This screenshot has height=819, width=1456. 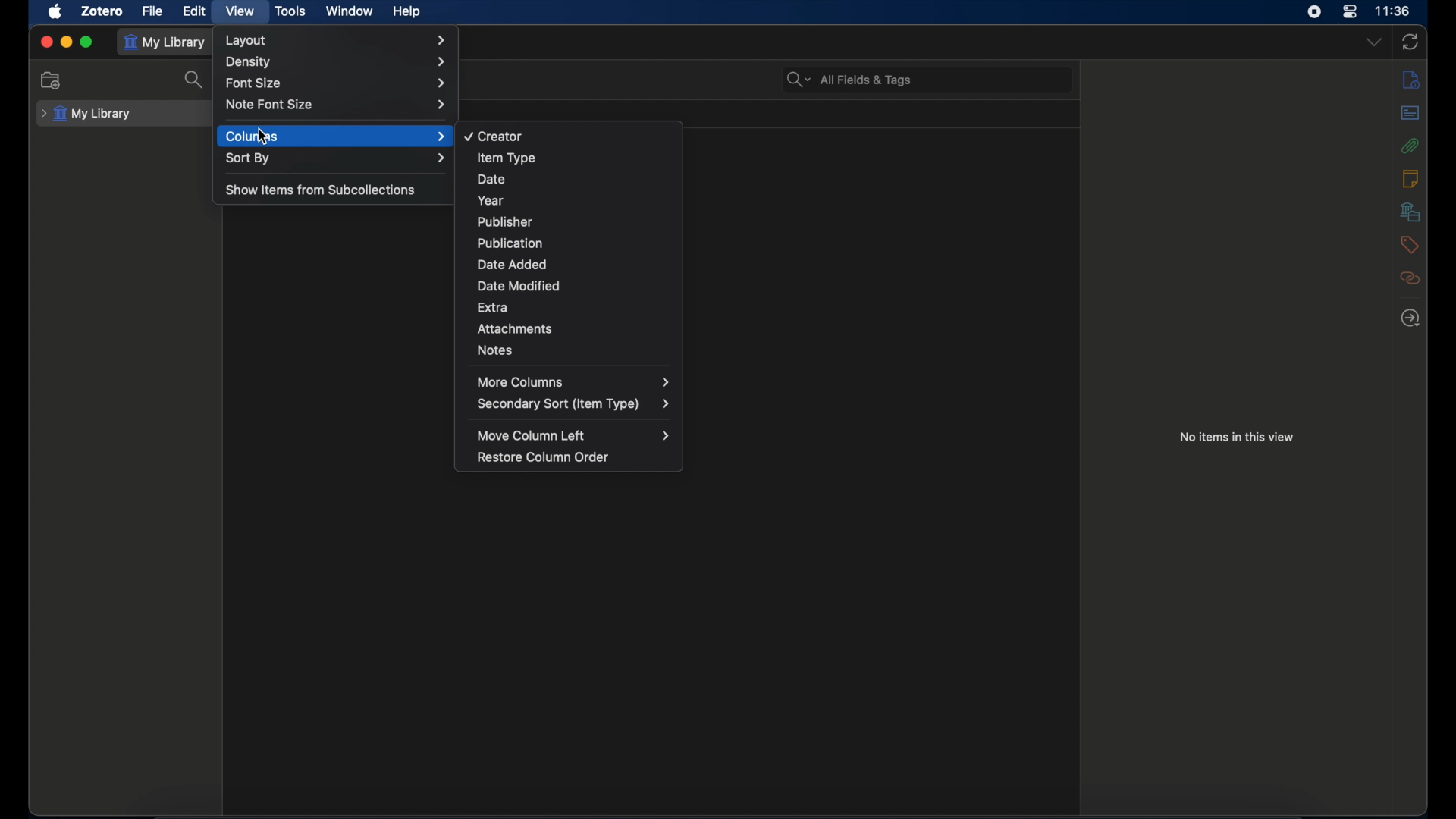 What do you see at coordinates (67, 42) in the screenshot?
I see `minimize` at bounding box center [67, 42].